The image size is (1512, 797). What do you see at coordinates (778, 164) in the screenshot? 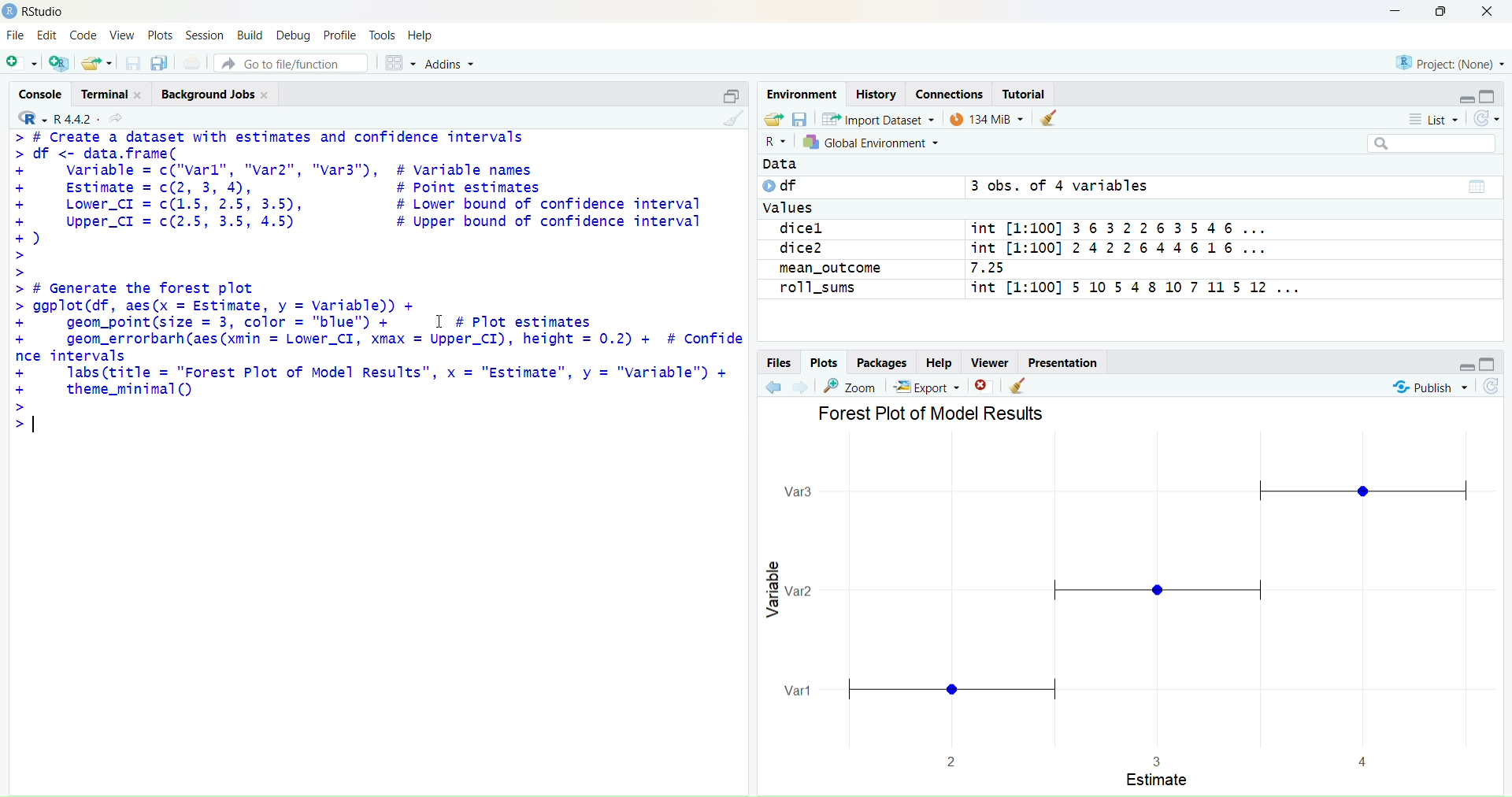
I see `Data` at bounding box center [778, 164].